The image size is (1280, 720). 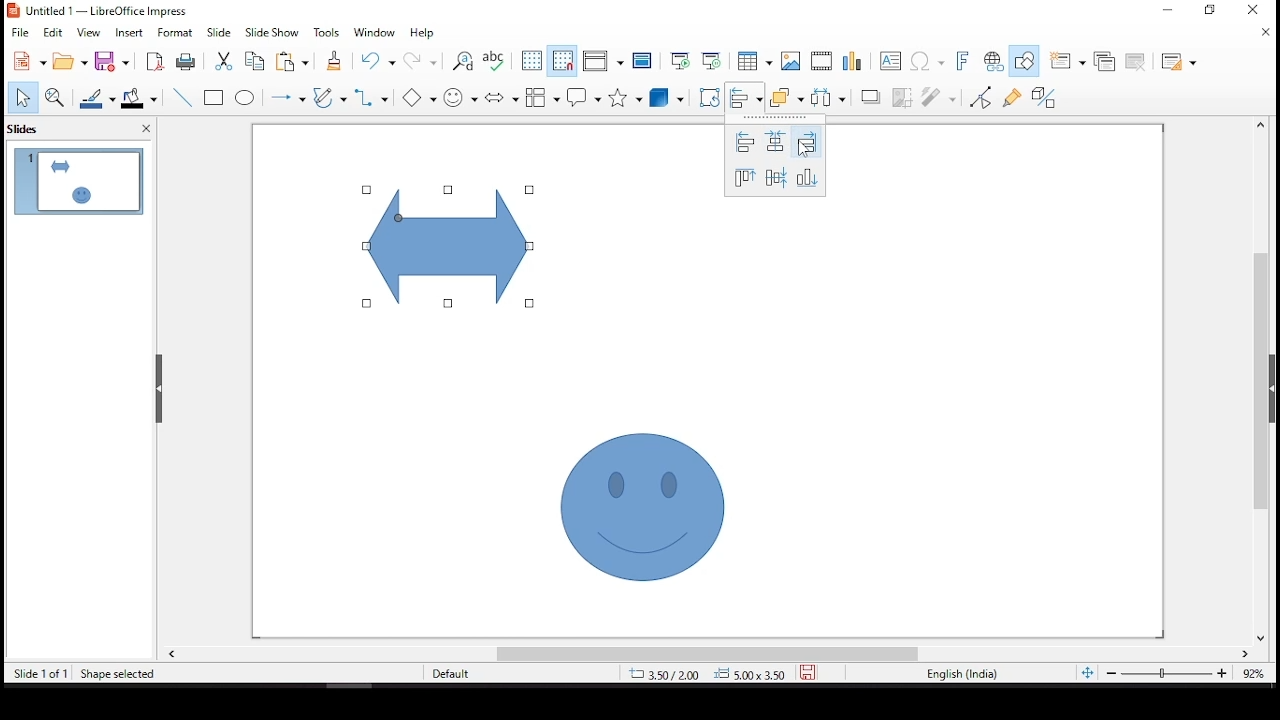 What do you see at coordinates (494, 63) in the screenshot?
I see `spell check` at bounding box center [494, 63].